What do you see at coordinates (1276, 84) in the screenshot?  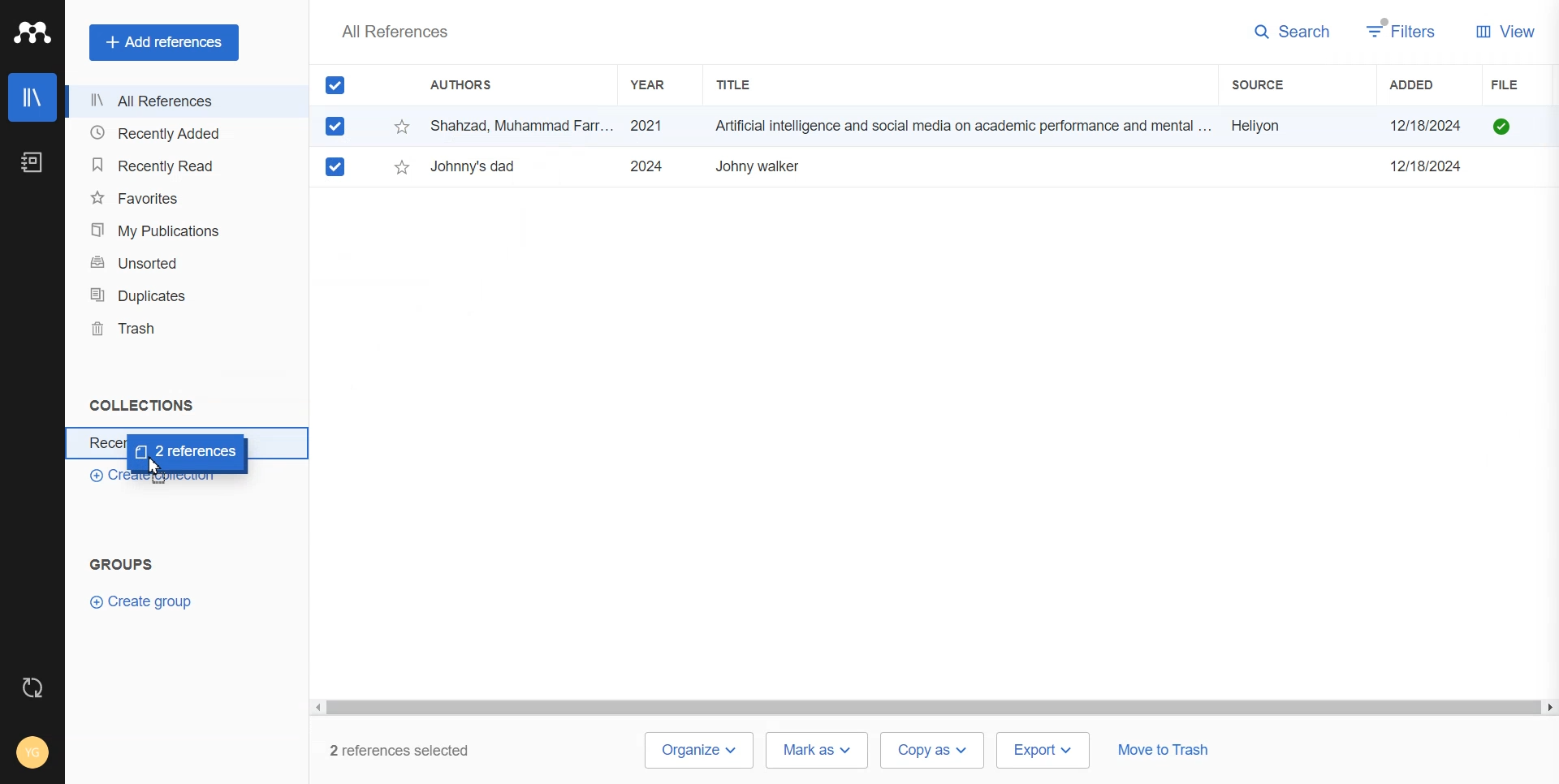 I see `Sources` at bounding box center [1276, 84].